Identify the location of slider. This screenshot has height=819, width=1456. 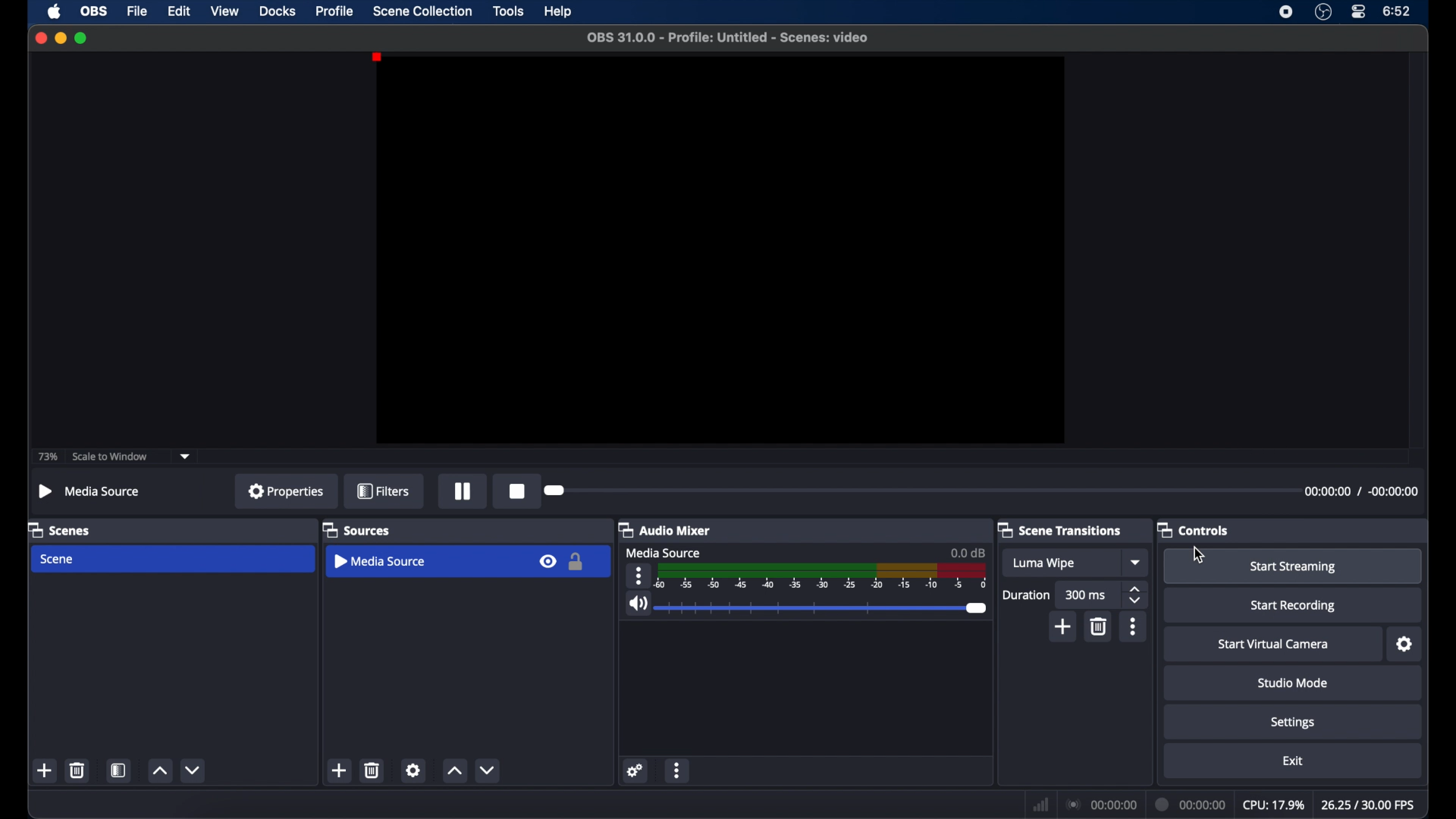
(823, 608).